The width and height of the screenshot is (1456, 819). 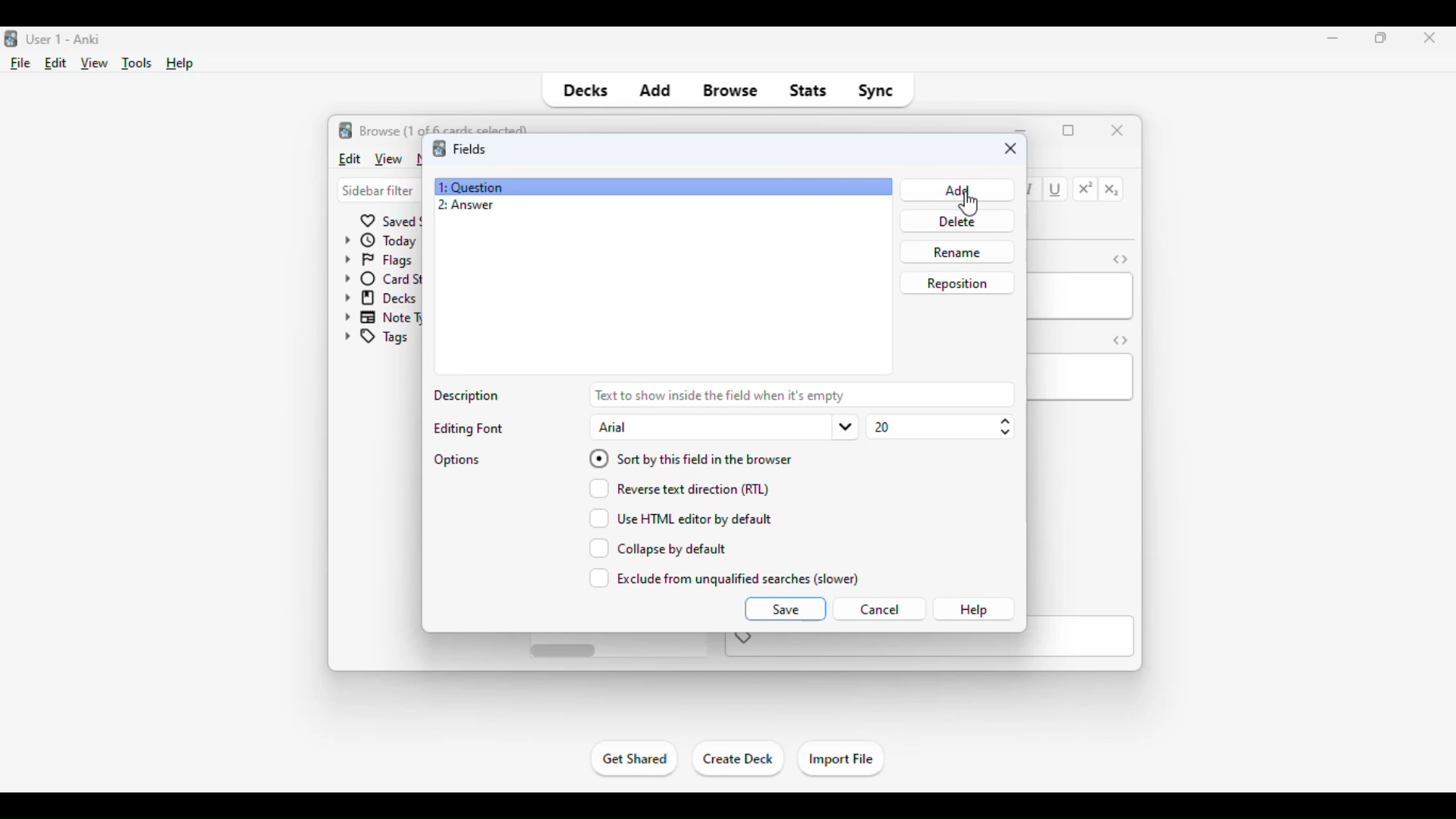 I want to click on delete, so click(x=954, y=221).